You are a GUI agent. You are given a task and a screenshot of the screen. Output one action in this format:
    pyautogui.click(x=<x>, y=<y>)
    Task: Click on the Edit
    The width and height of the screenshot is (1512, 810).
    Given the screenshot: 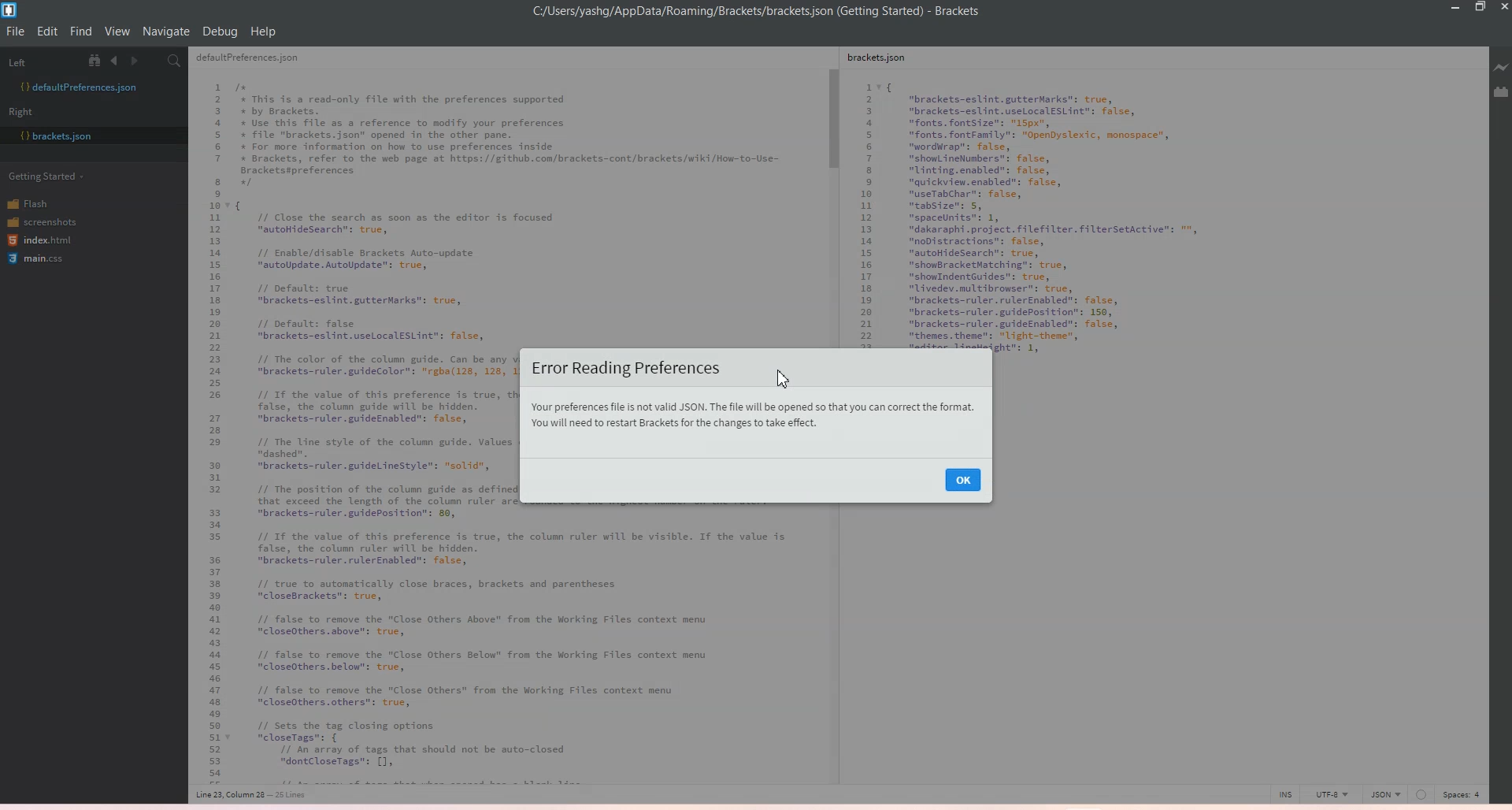 What is the action you would take?
    pyautogui.click(x=49, y=32)
    